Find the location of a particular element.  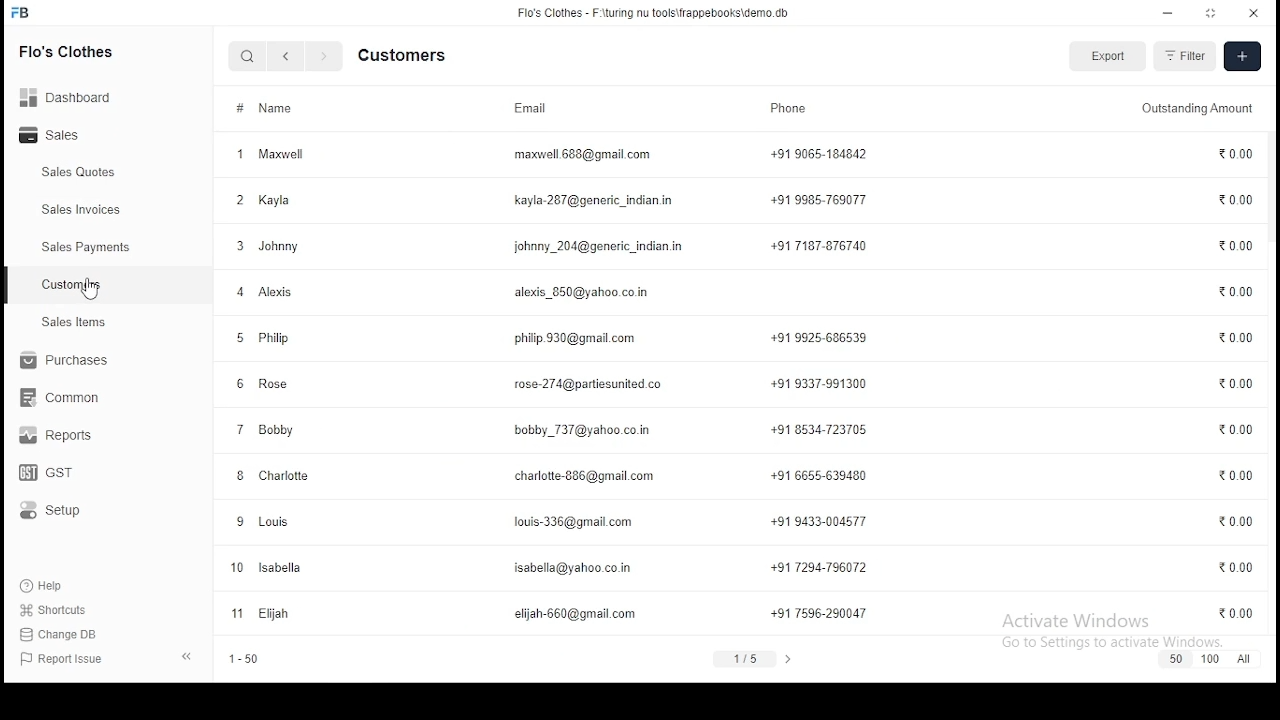

 is located at coordinates (239, 474).